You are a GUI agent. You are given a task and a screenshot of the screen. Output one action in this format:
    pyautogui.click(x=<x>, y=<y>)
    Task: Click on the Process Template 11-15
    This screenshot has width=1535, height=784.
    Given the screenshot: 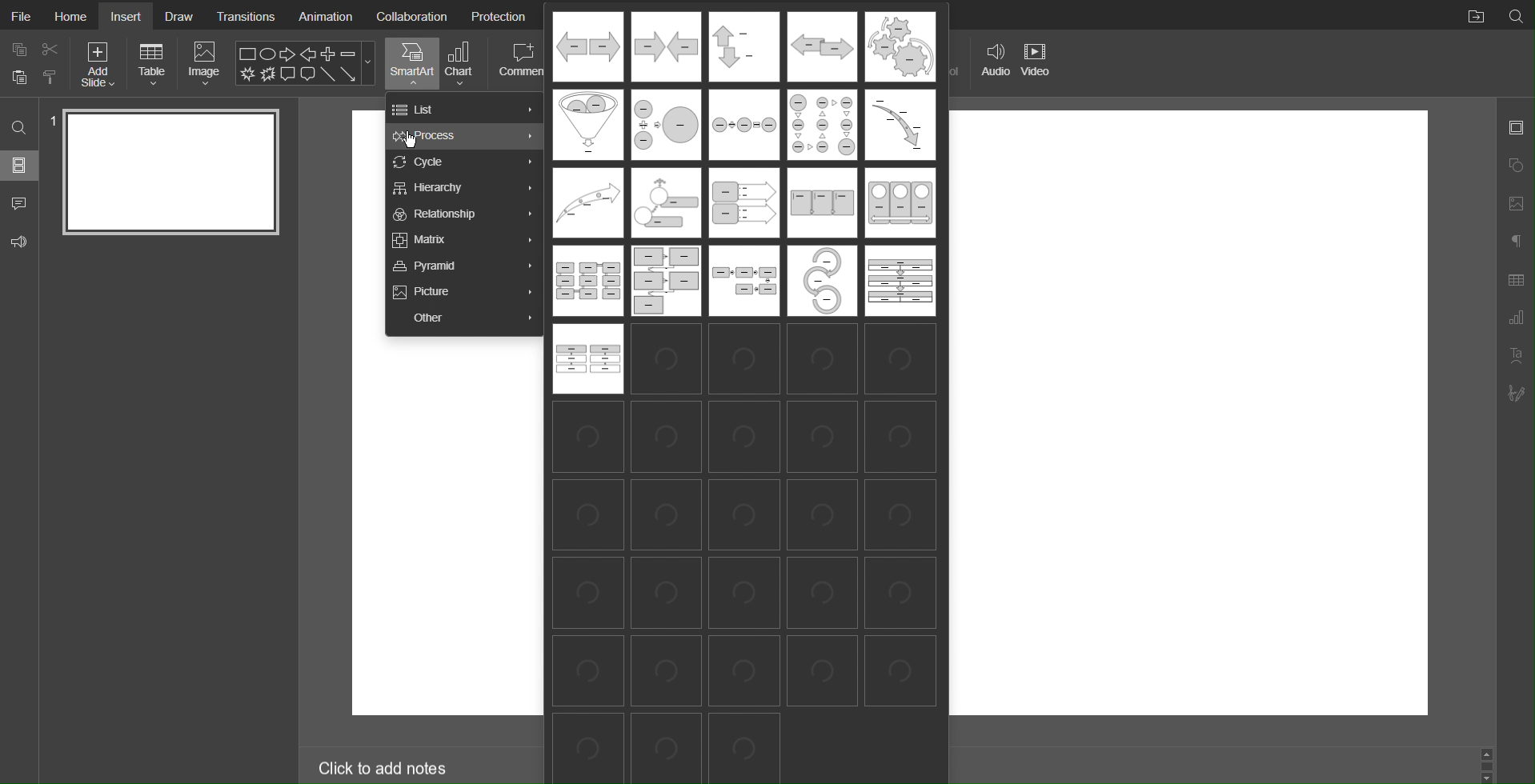 What is the action you would take?
    pyautogui.click(x=742, y=202)
    